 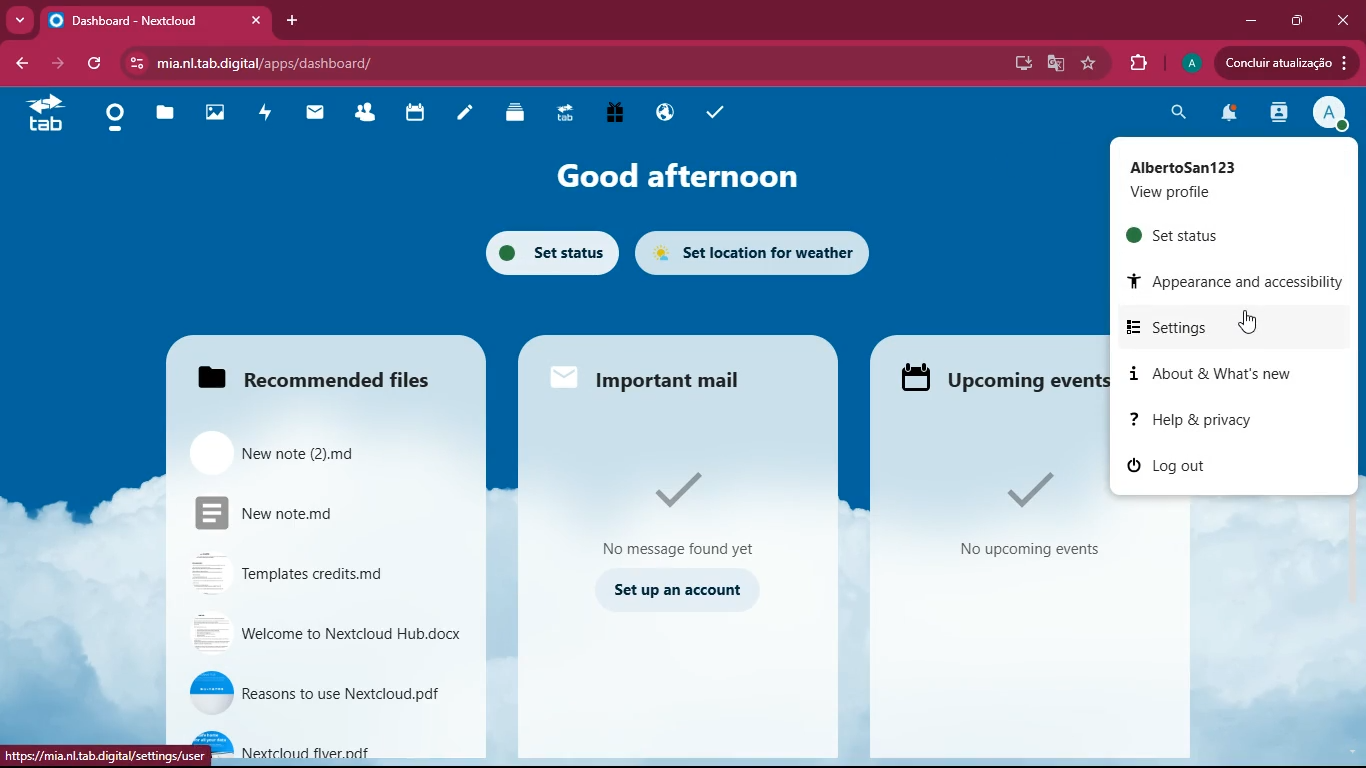 What do you see at coordinates (610, 115) in the screenshot?
I see `gift` at bounding box center [610, 115].